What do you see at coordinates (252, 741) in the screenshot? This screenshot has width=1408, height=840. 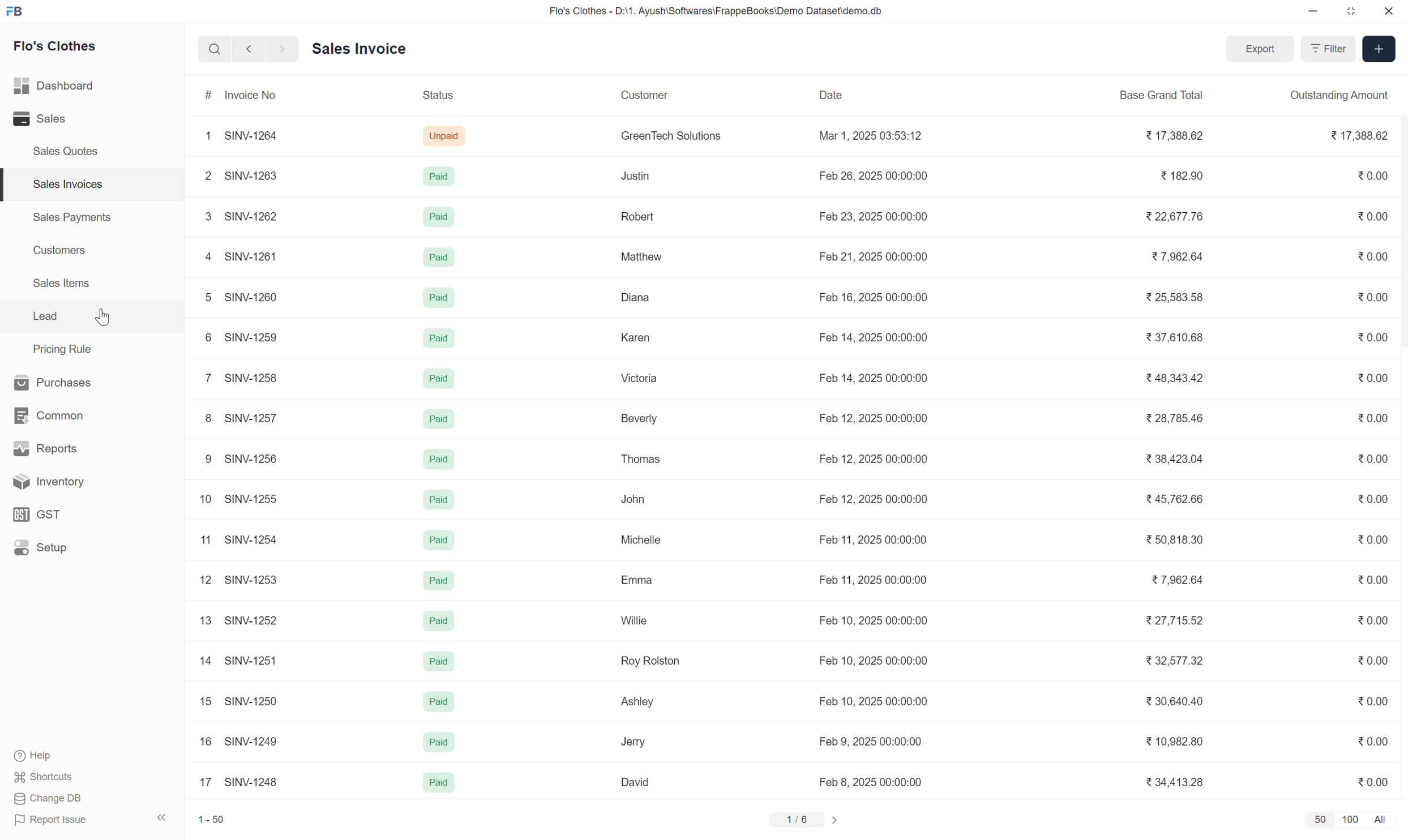 I see `SINV-1249` at bounding box center [252, 741].